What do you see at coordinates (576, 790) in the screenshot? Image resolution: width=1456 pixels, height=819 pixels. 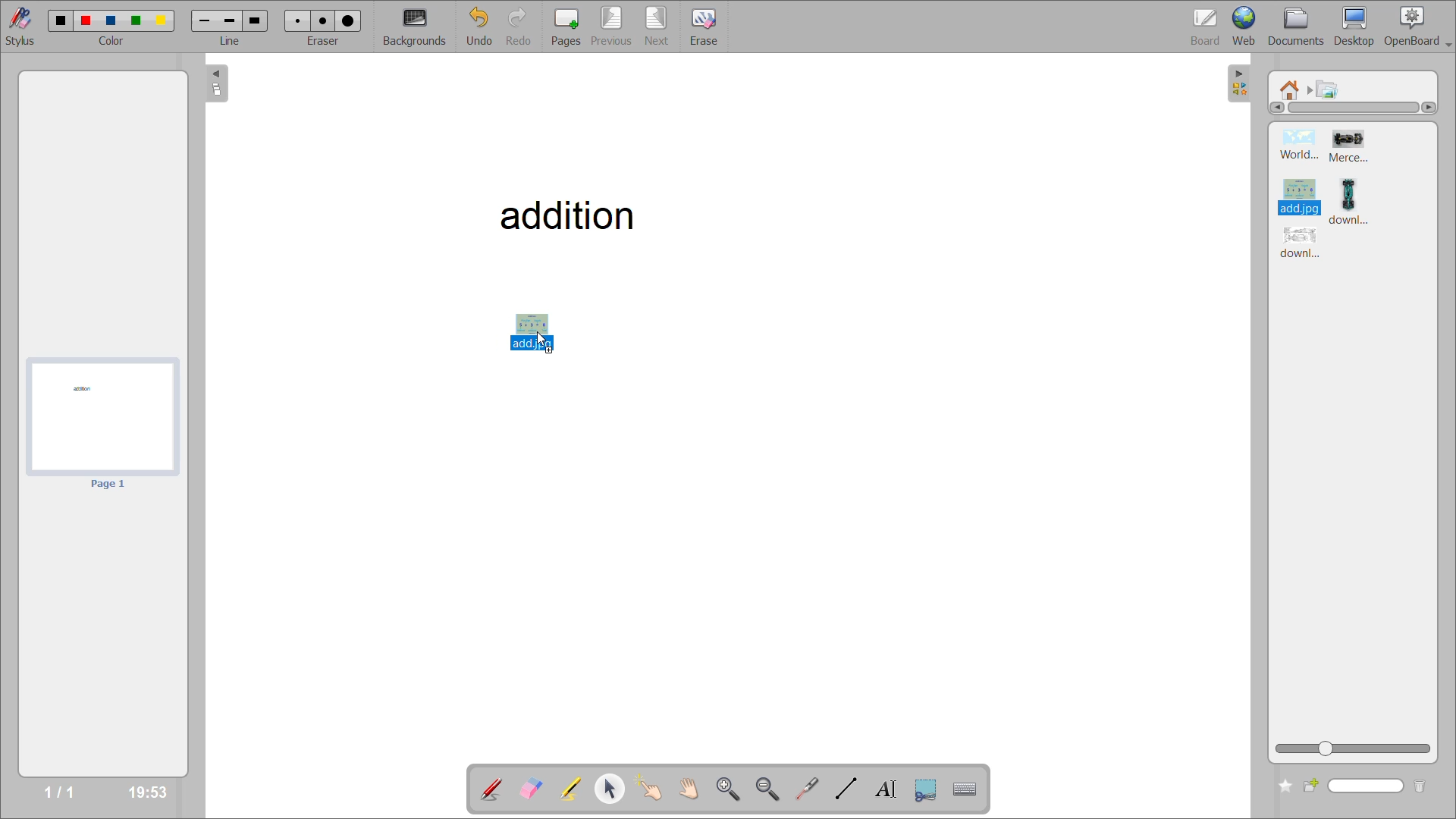 I see `highlight` at bounding box center [576, 790].